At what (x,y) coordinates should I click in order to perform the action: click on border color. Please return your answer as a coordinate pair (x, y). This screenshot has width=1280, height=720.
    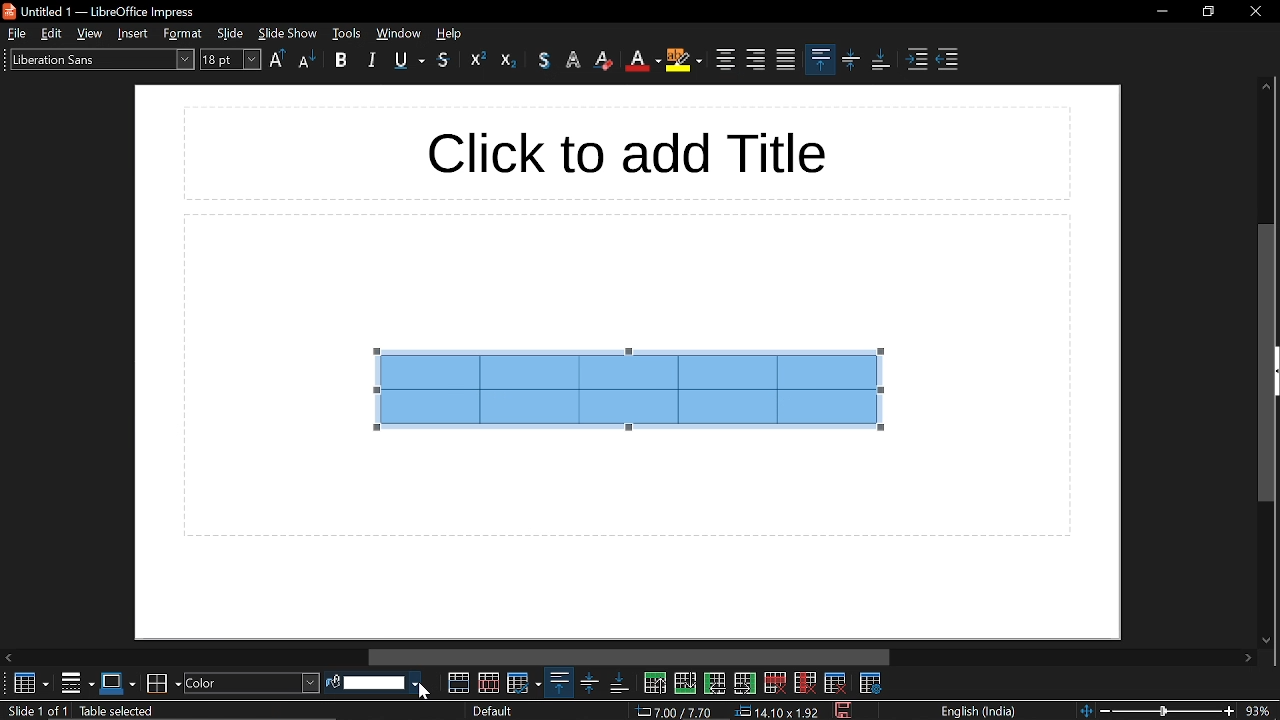
    Looking at the image, I should click on (163, 681).